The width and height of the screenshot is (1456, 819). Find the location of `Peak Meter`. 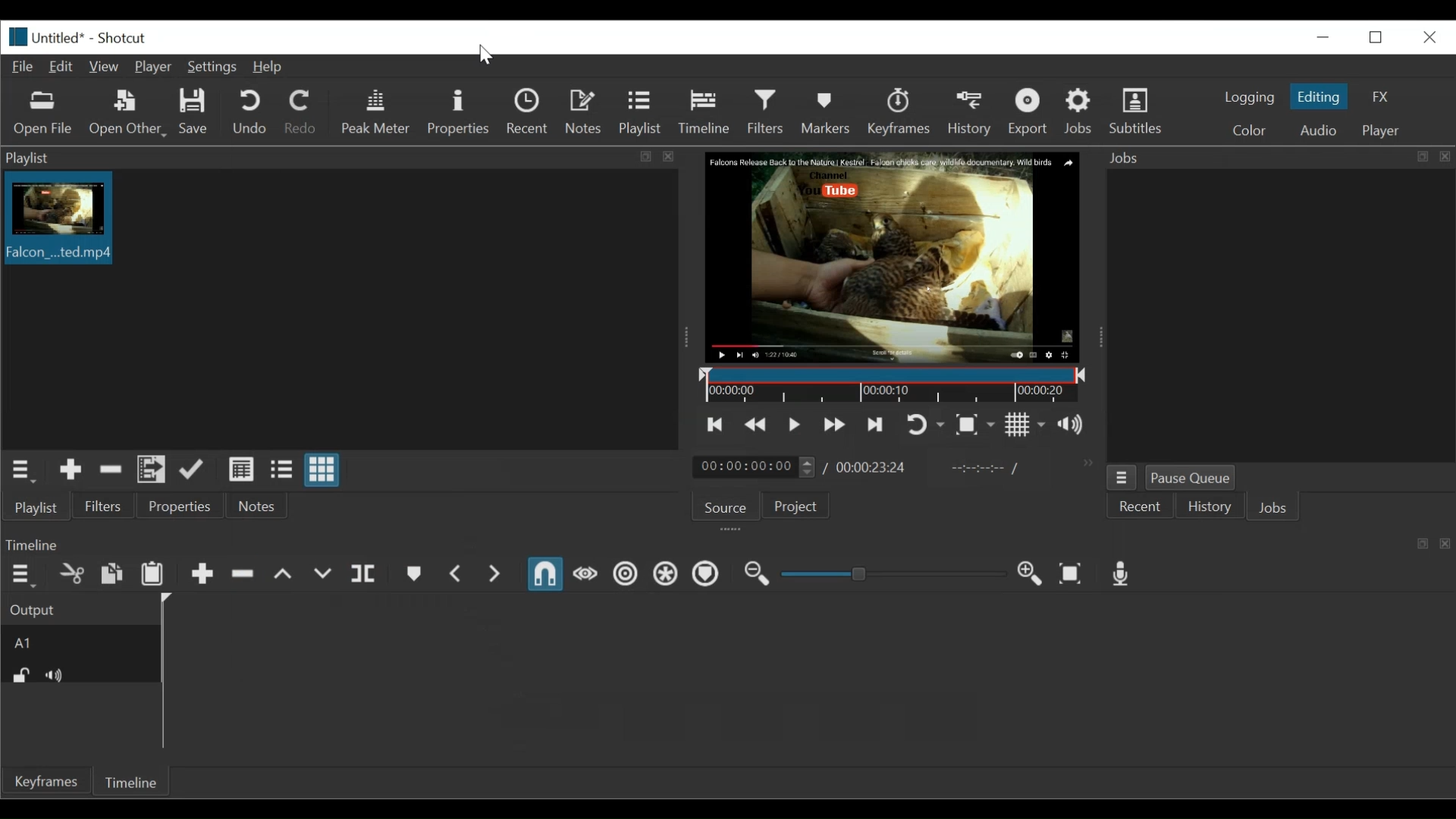

Peak Meter is located at coordinates (377, 114).